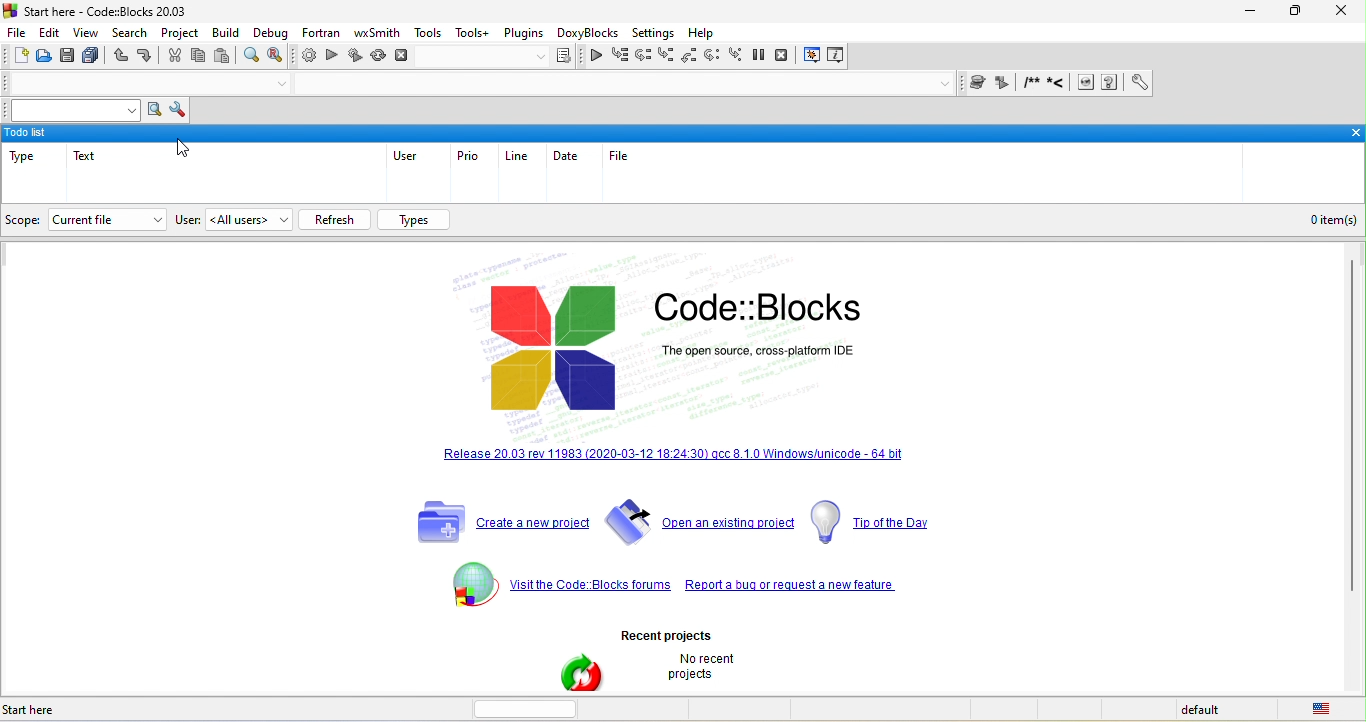 The width and height of the screenshot is (1366, 722). What do you see at coordinates (90, 219) in the screenshot?
I see `current files ` at bounding box center [90, 219].